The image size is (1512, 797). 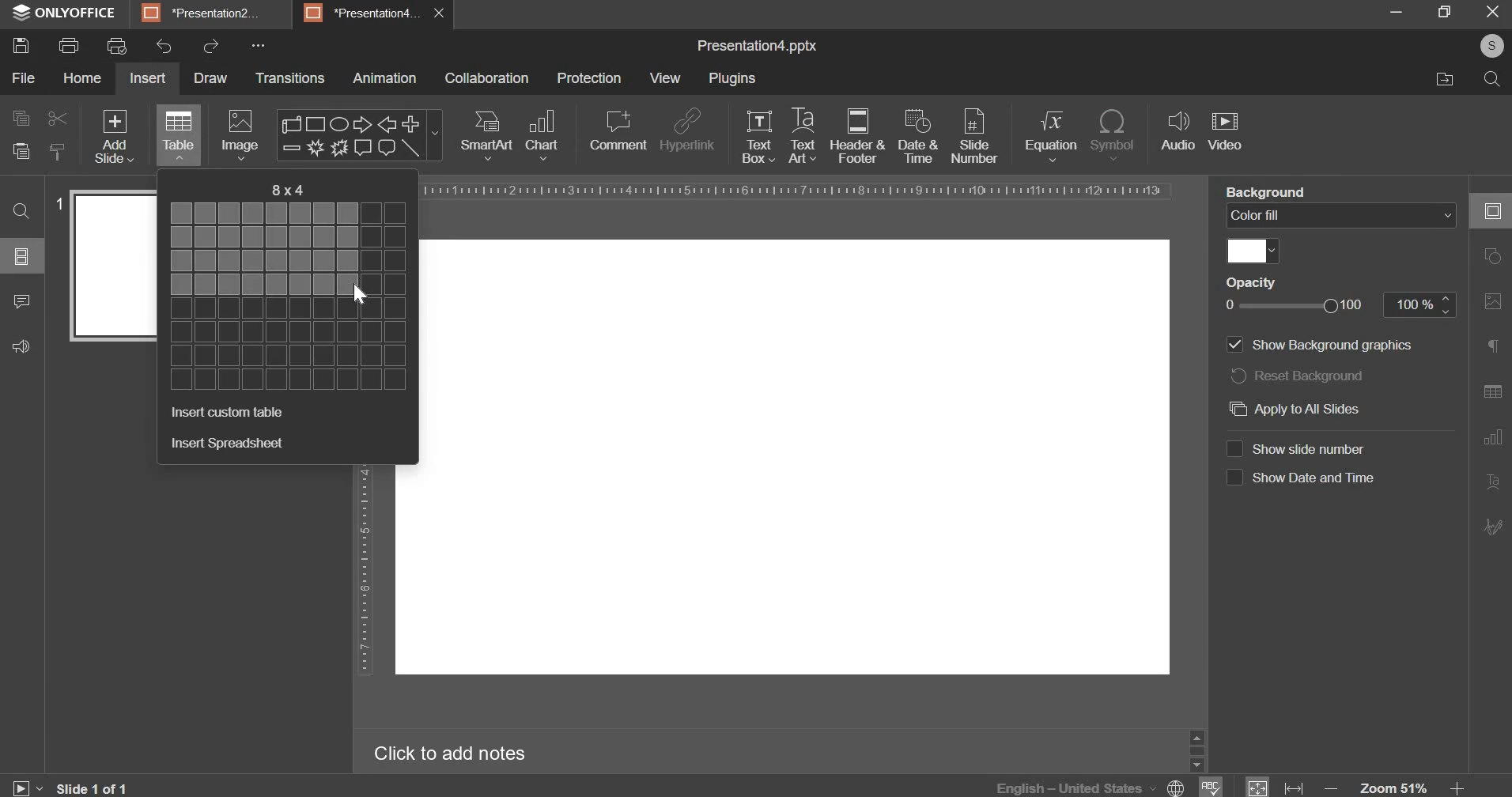 What do you see at coordinates (21, 301) in the screenshot?
I see `comments` at bounding box center [21, 301].